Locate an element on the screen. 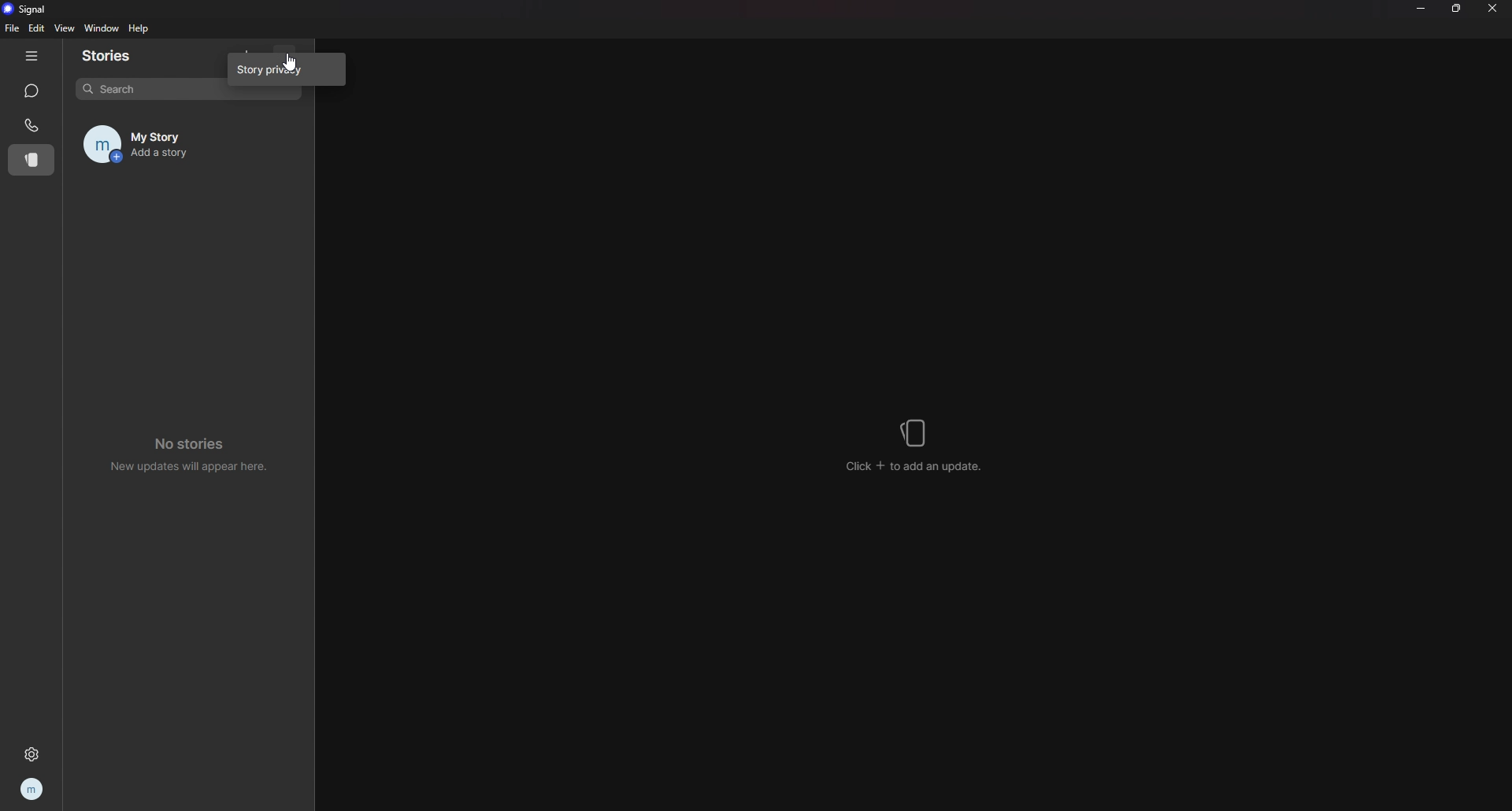 The image size is (1512, 811). calls is located at coordinates (32, 125).